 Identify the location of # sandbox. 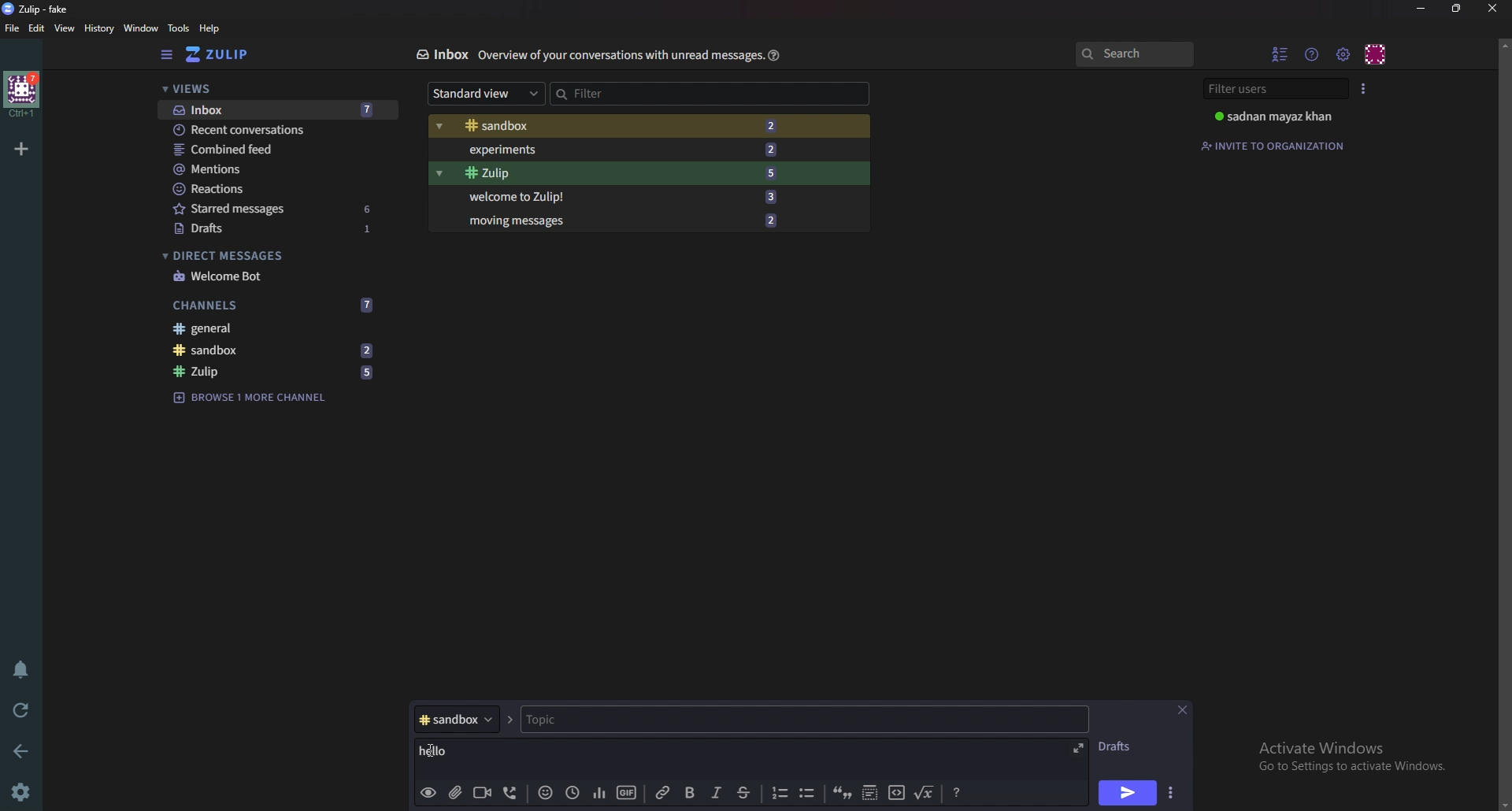
(455, 718).